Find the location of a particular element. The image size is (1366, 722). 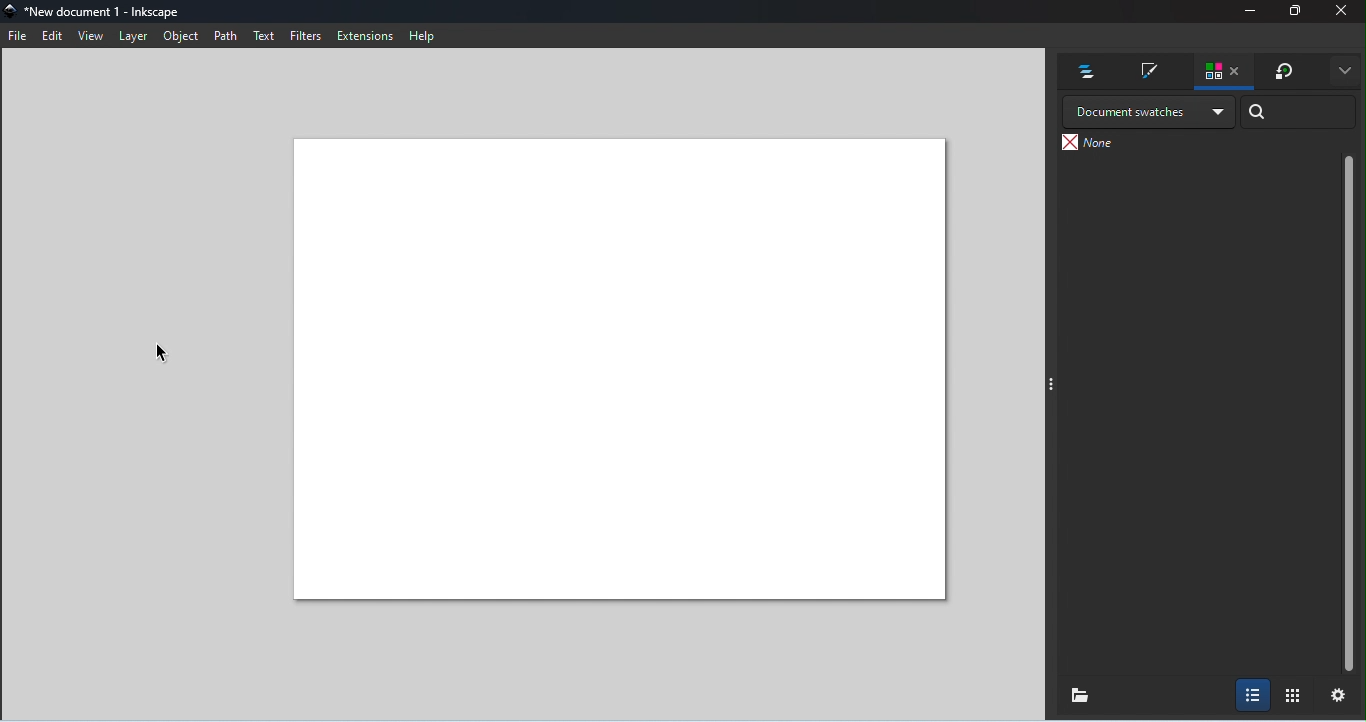

Scroll bar is located at coordinates (1352, 412).